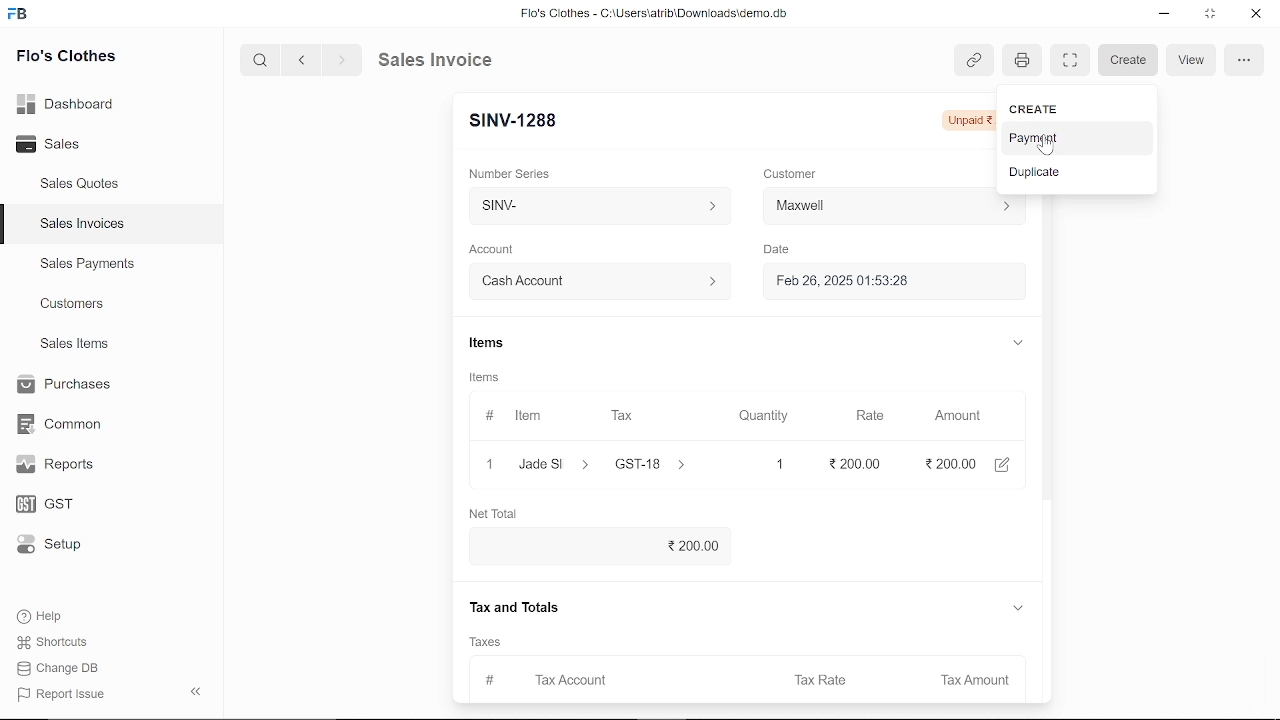 The image size is (1280, 720). Describe the element at coordinates (973, 61) in the screenshot. I see `link` at that location.